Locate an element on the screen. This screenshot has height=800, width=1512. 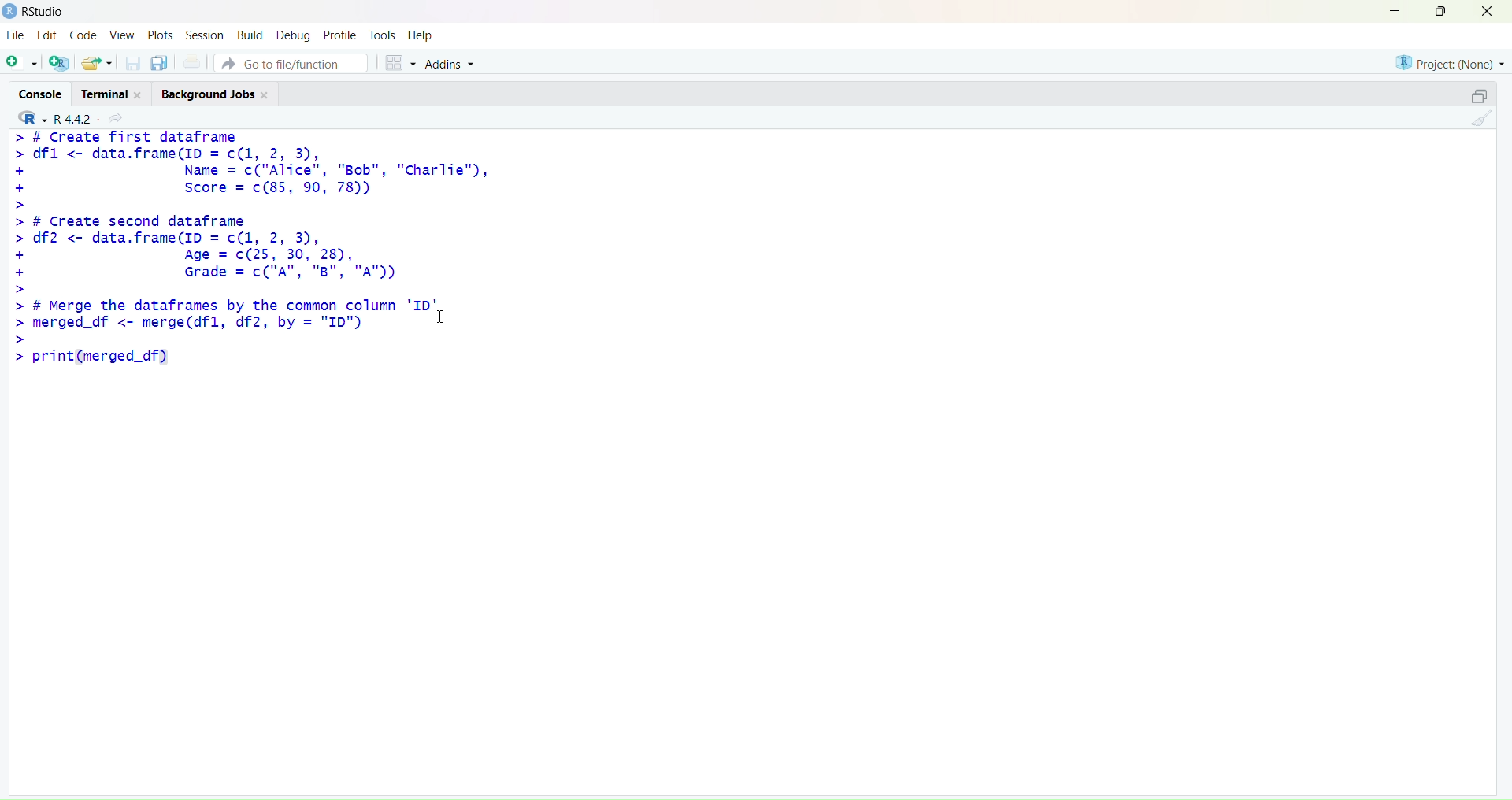
print is located at coordinates (191, 63).